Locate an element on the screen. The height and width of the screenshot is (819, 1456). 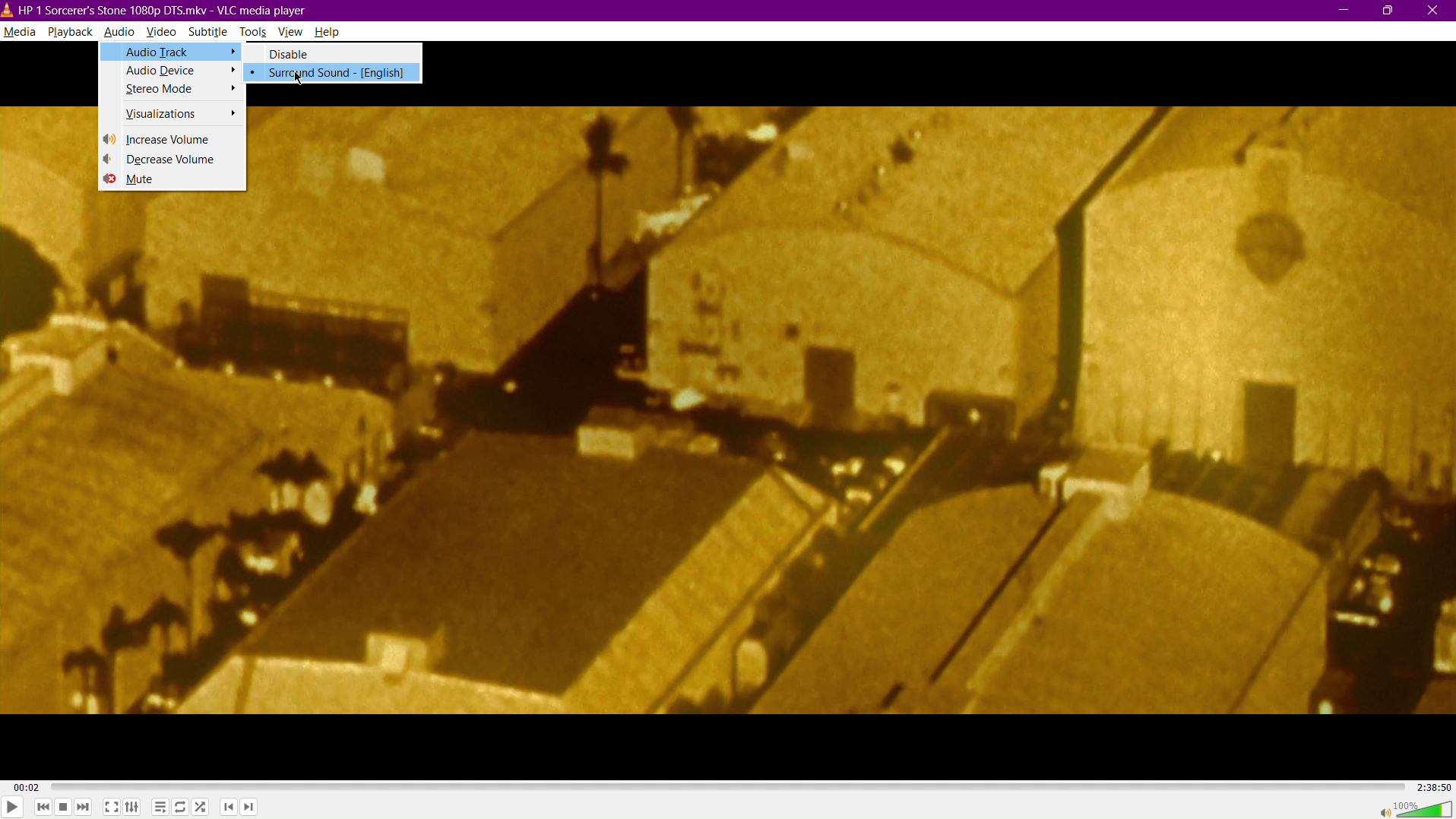
00:02 is located at coordinates (27, 788).